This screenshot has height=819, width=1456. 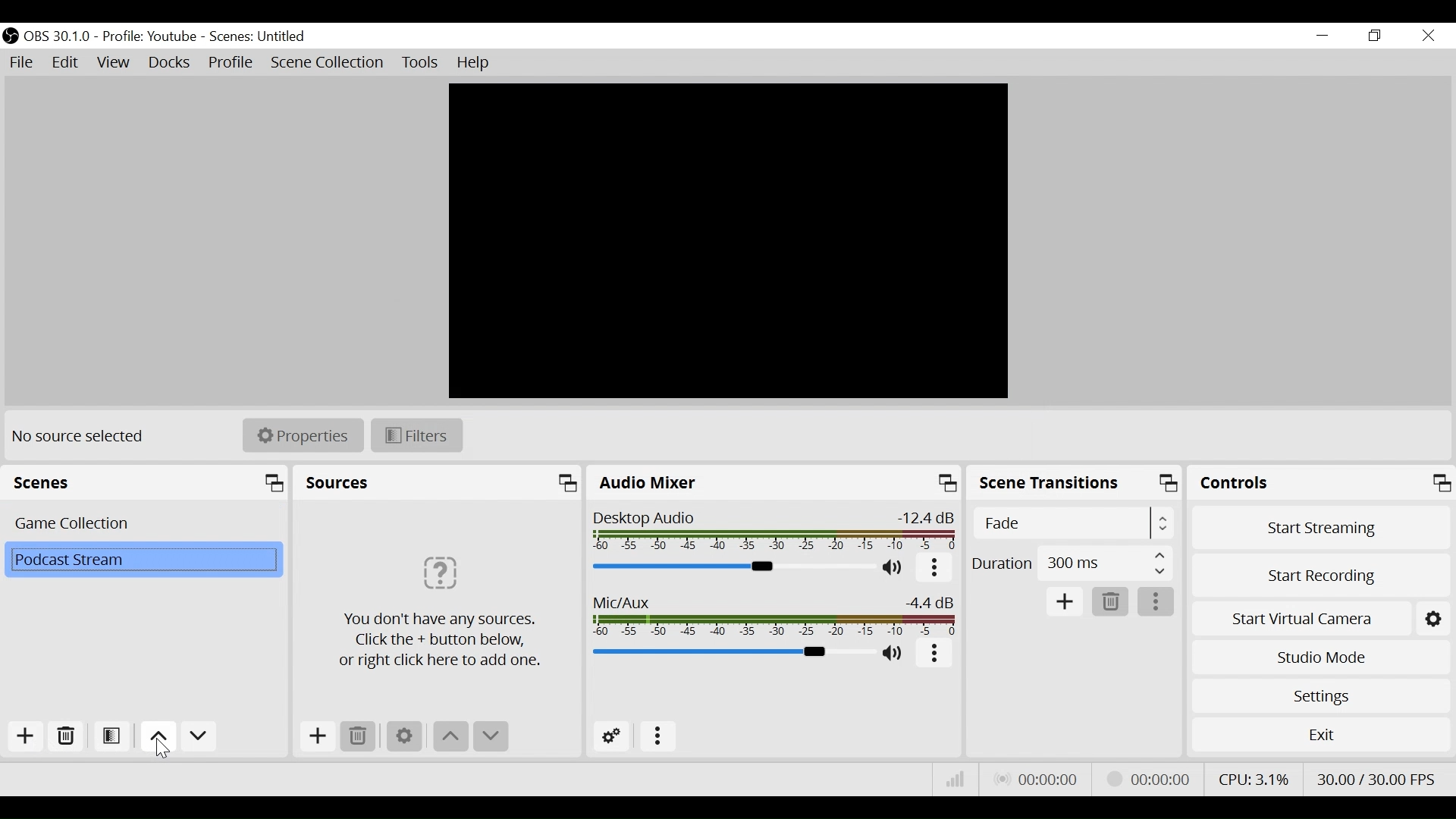 What do you see at coordinates (67, 63) in the screenshot?
I see `Edit` at bounding box center [67, 63].